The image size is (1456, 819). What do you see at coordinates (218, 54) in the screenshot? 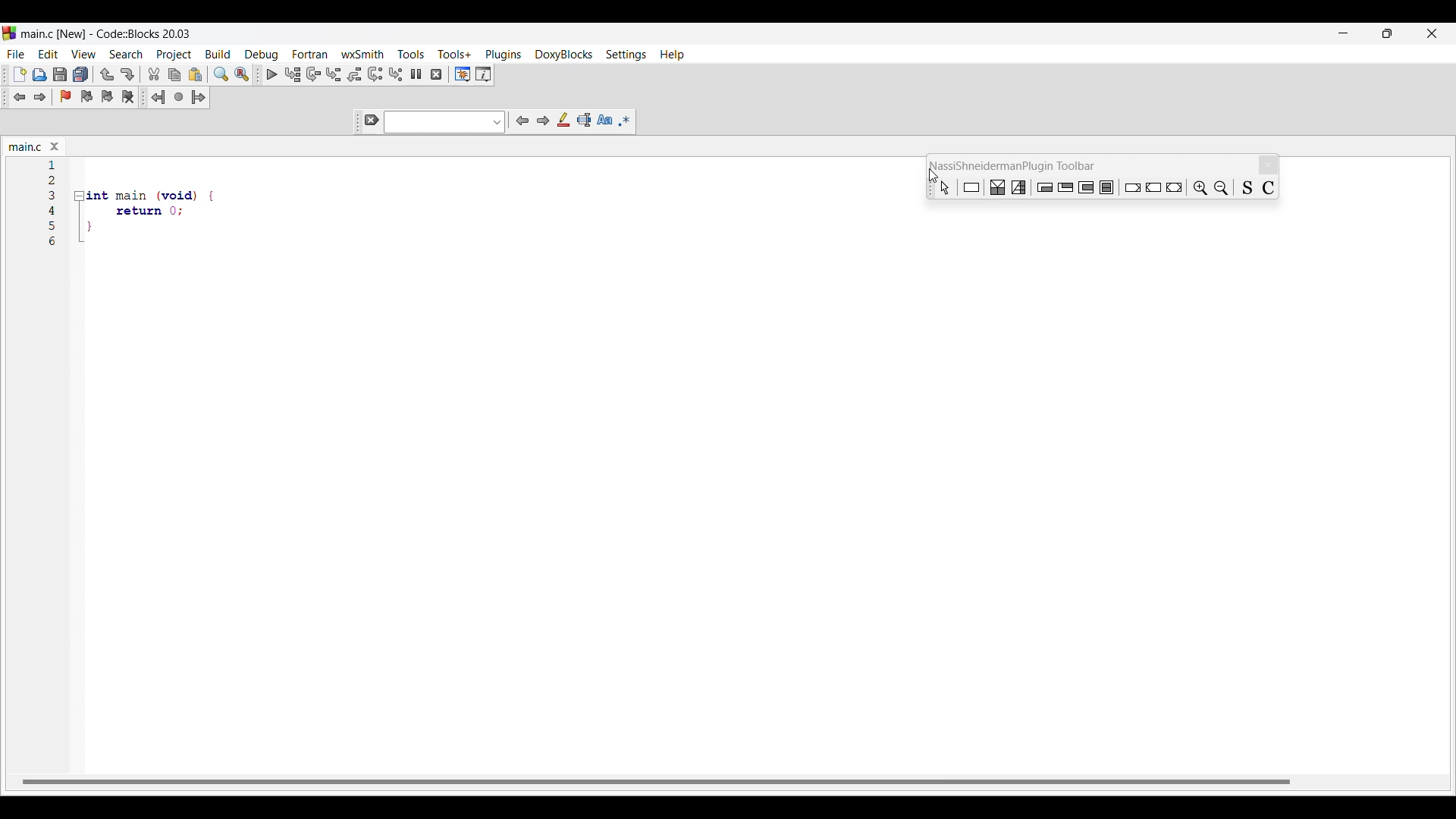
I see `Build menu` at bounding box center [218, 54].